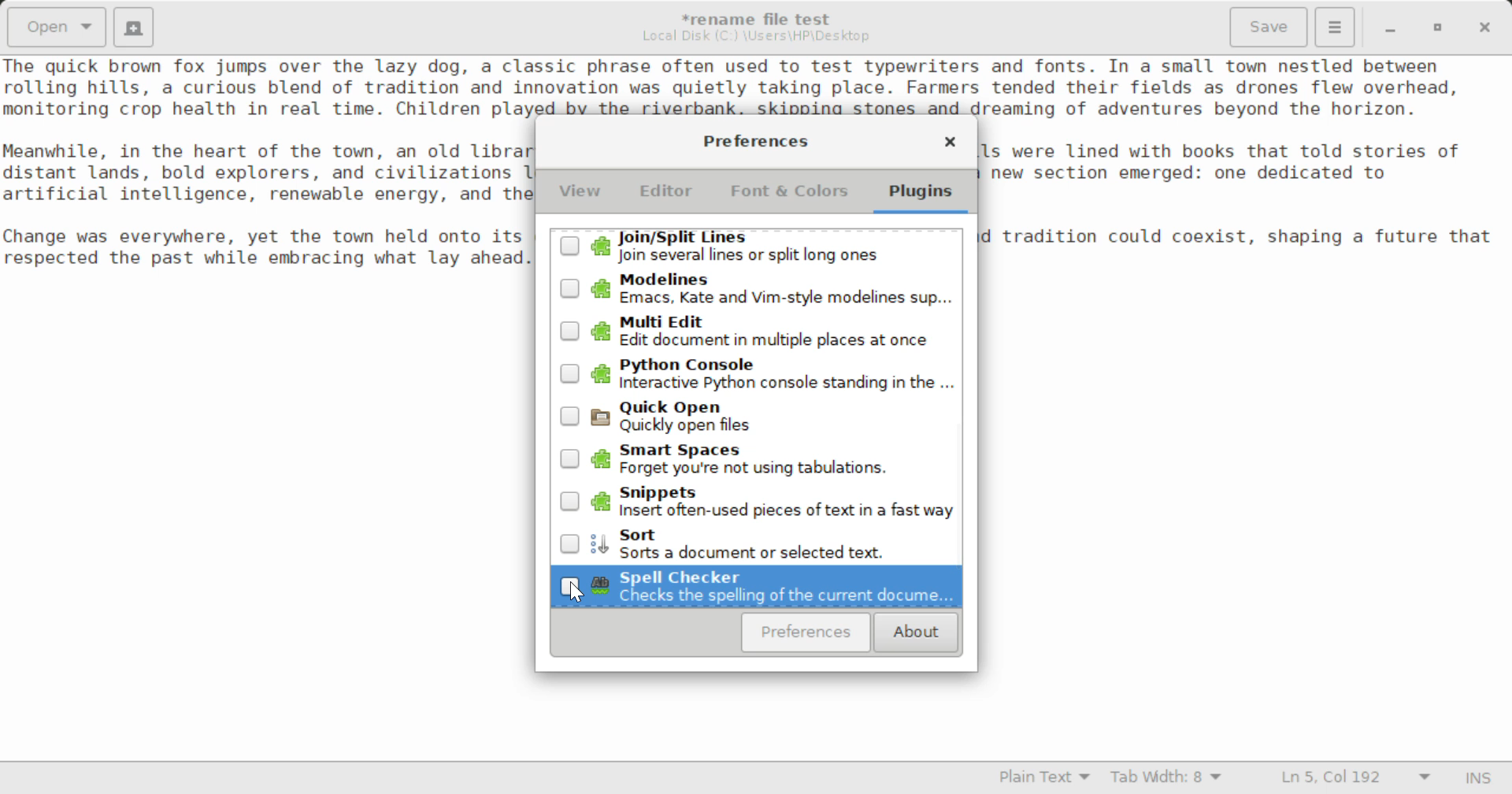  Describe the element at coordinates (758, 542) in the screenshot. I see `Sort Plugin Button Unselected` at that location.